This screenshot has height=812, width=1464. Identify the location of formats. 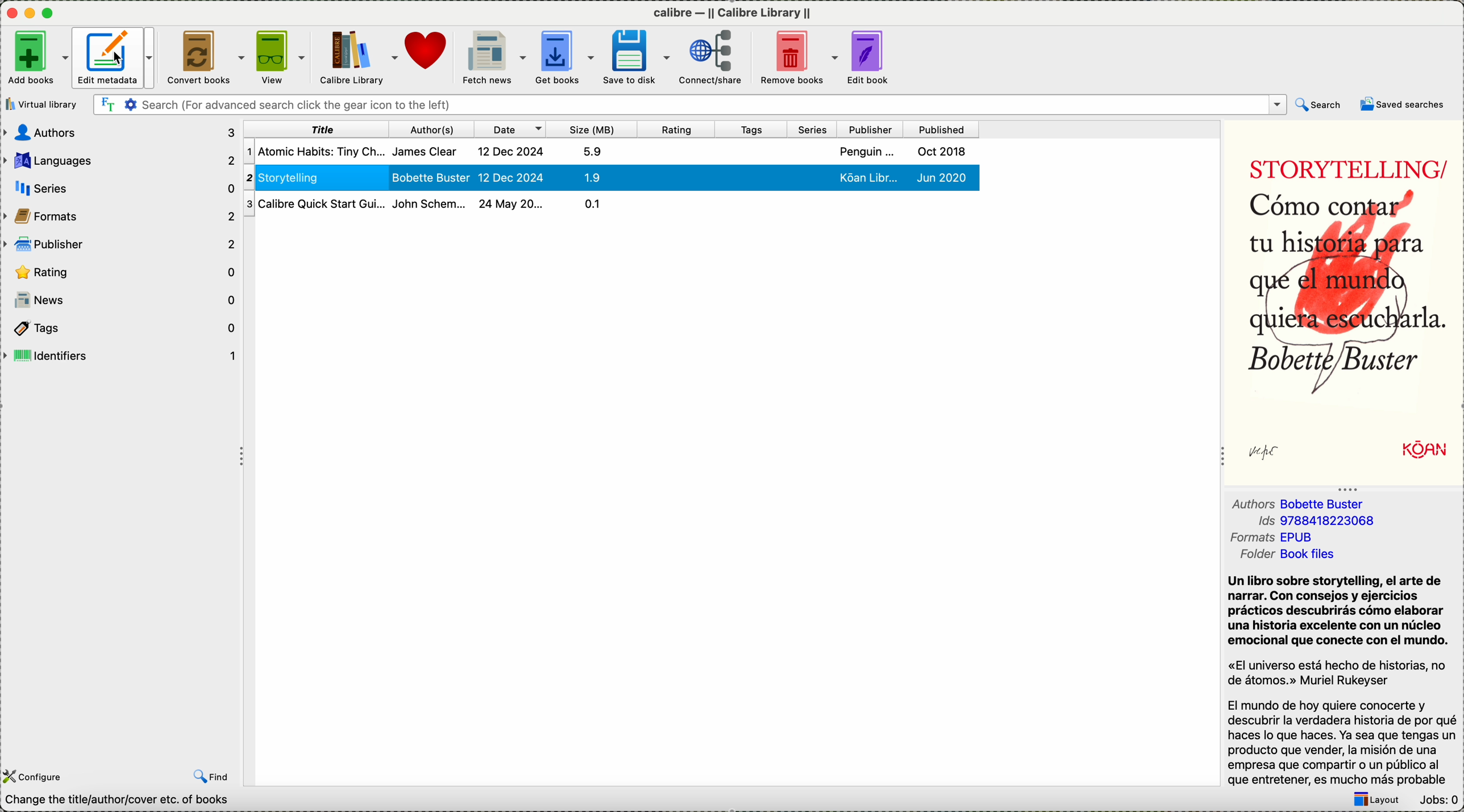
(1300, 522).